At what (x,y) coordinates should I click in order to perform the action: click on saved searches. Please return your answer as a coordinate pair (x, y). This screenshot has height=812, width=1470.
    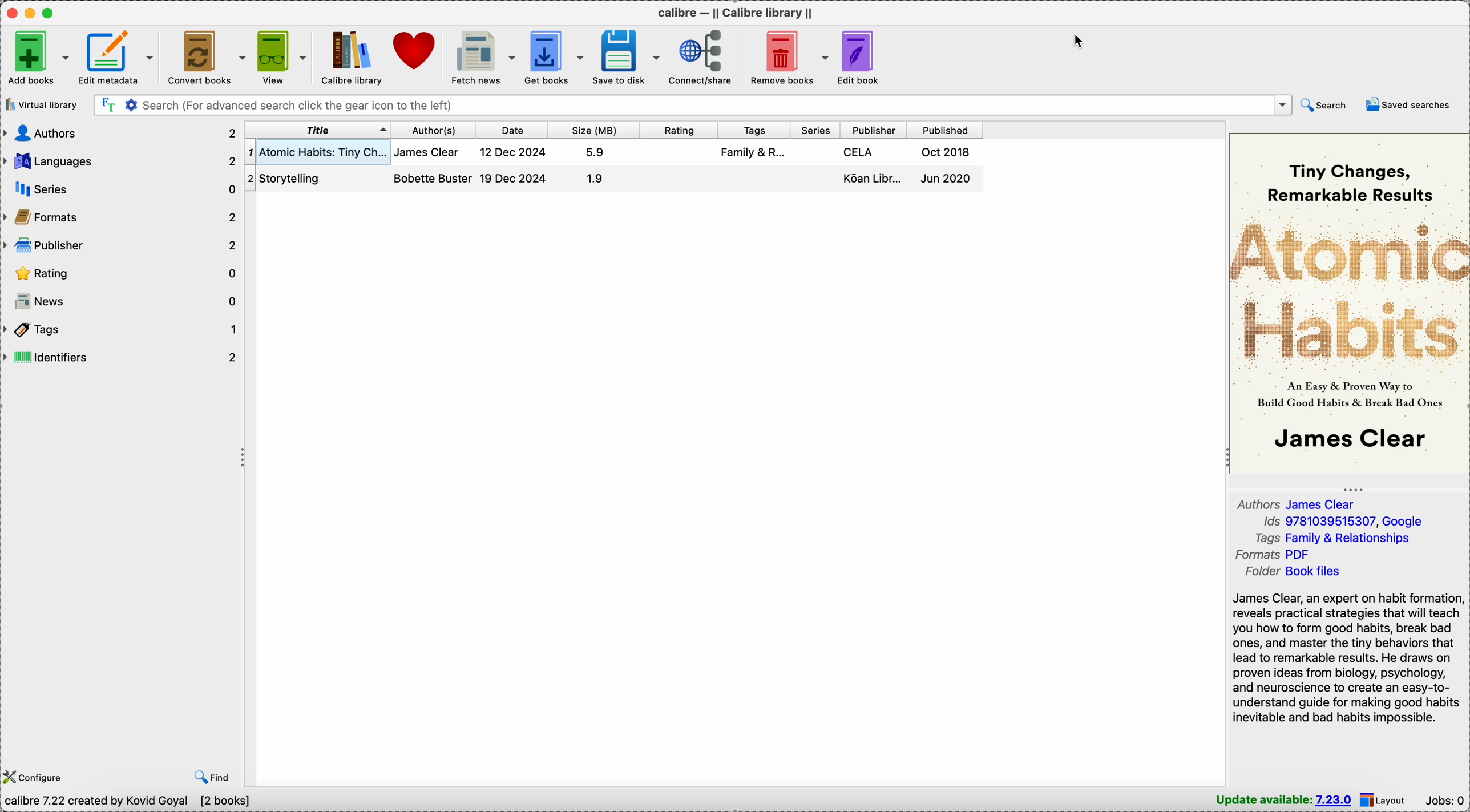
    Looking at the image, I should click on (1412, 105).